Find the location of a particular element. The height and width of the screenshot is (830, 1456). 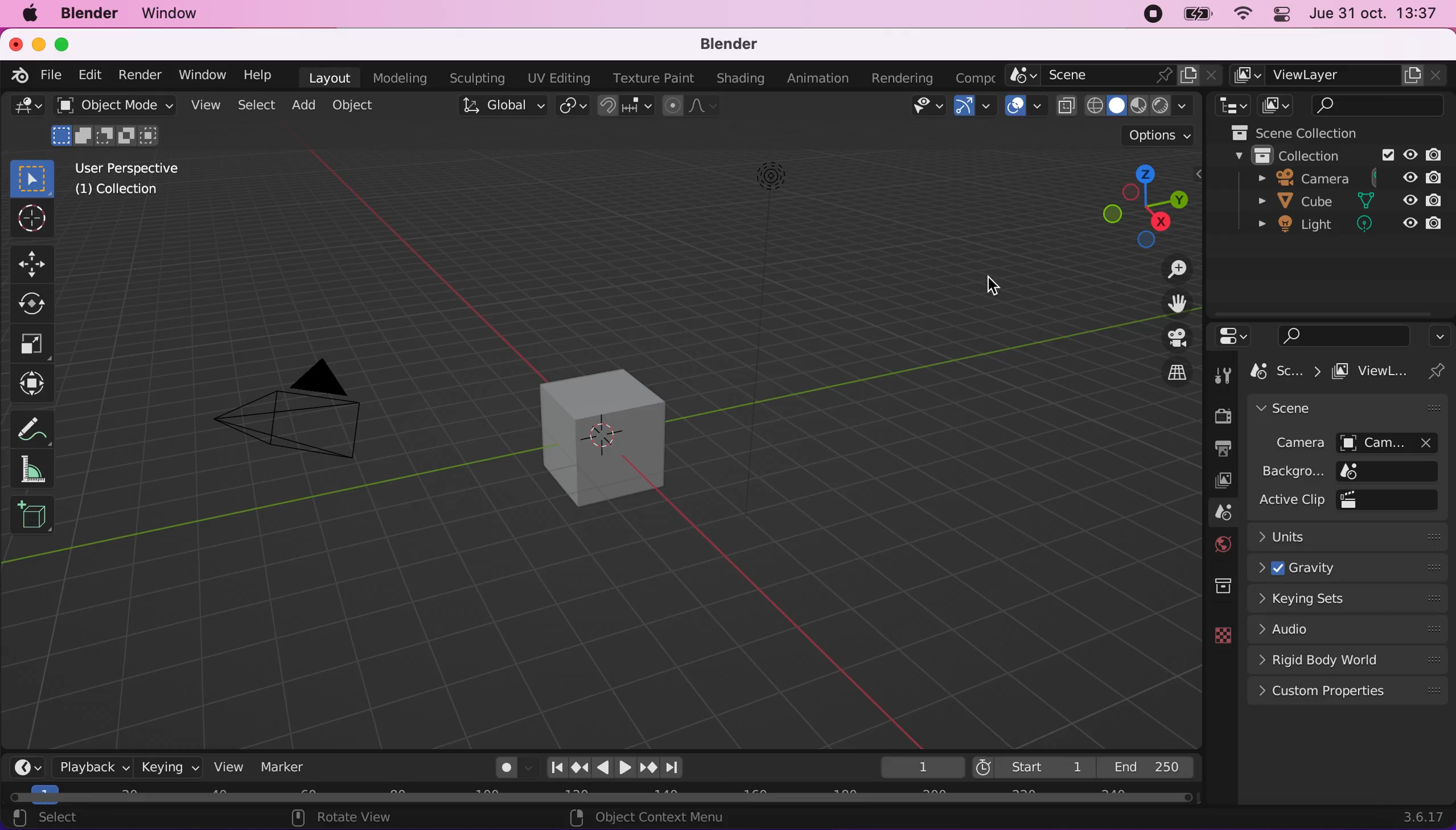

render is located at coordinates (1218, 414).